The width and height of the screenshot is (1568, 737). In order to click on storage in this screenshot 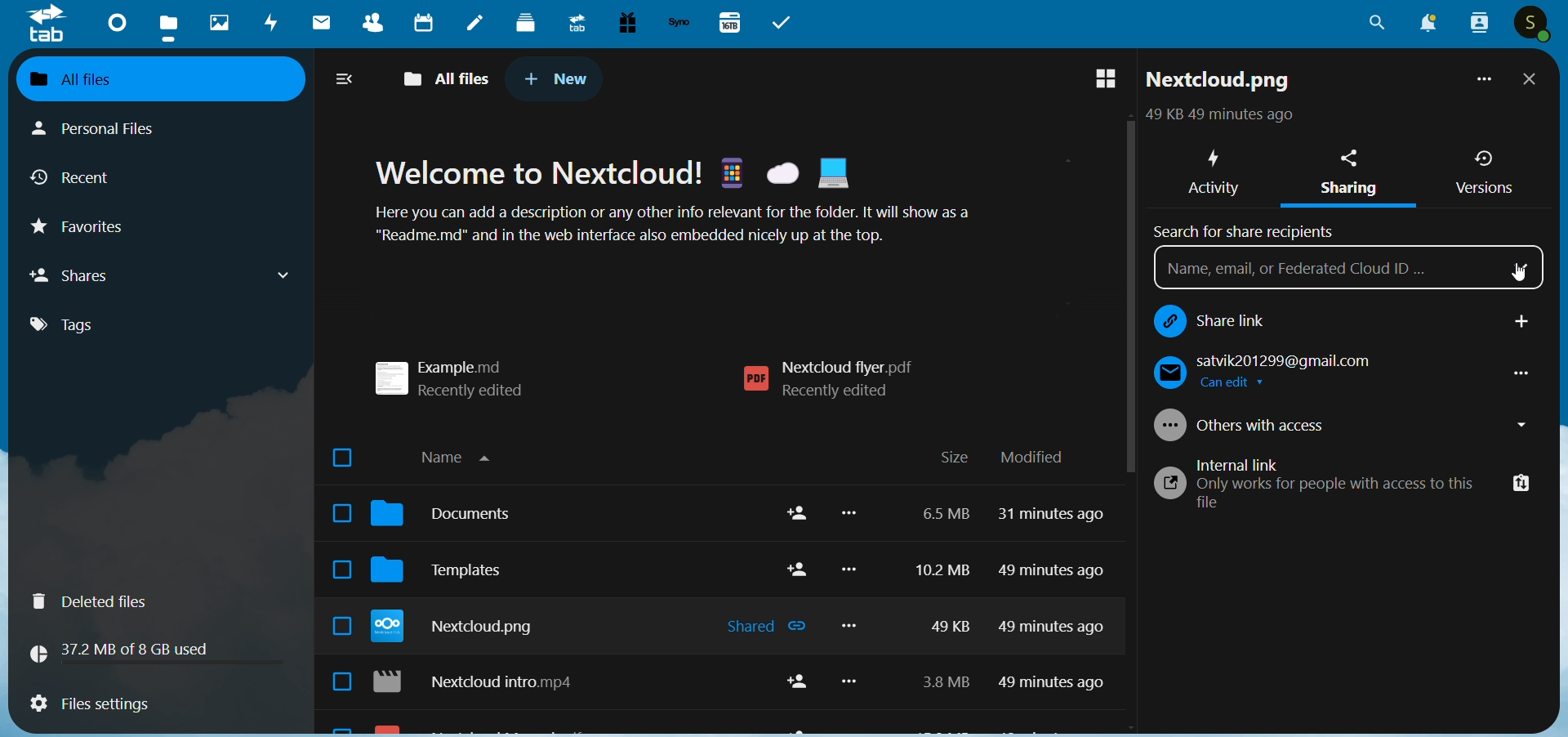, I will do `click(127, 650)`.